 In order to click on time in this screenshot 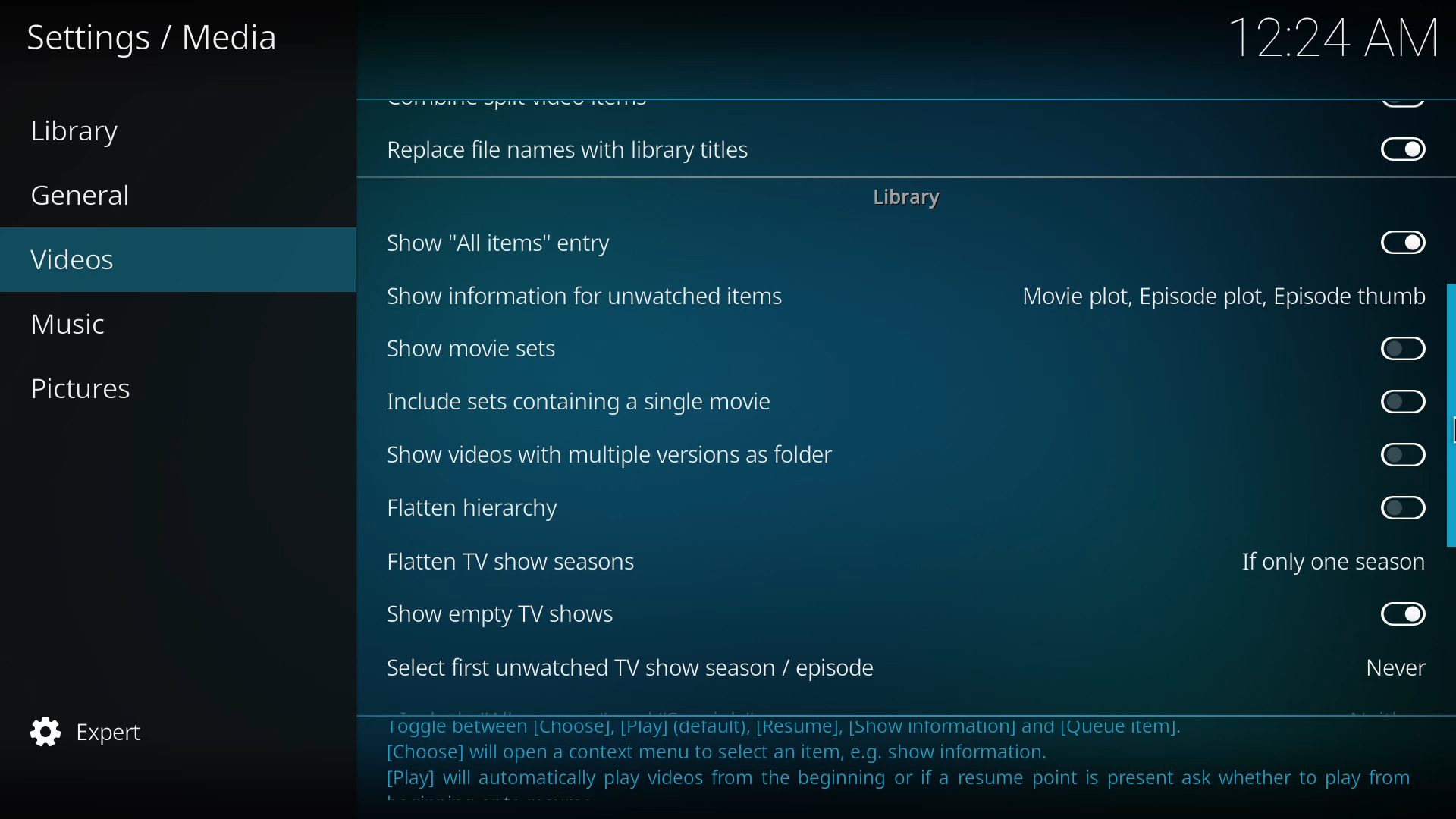, I will do `click(1332, 36)`.